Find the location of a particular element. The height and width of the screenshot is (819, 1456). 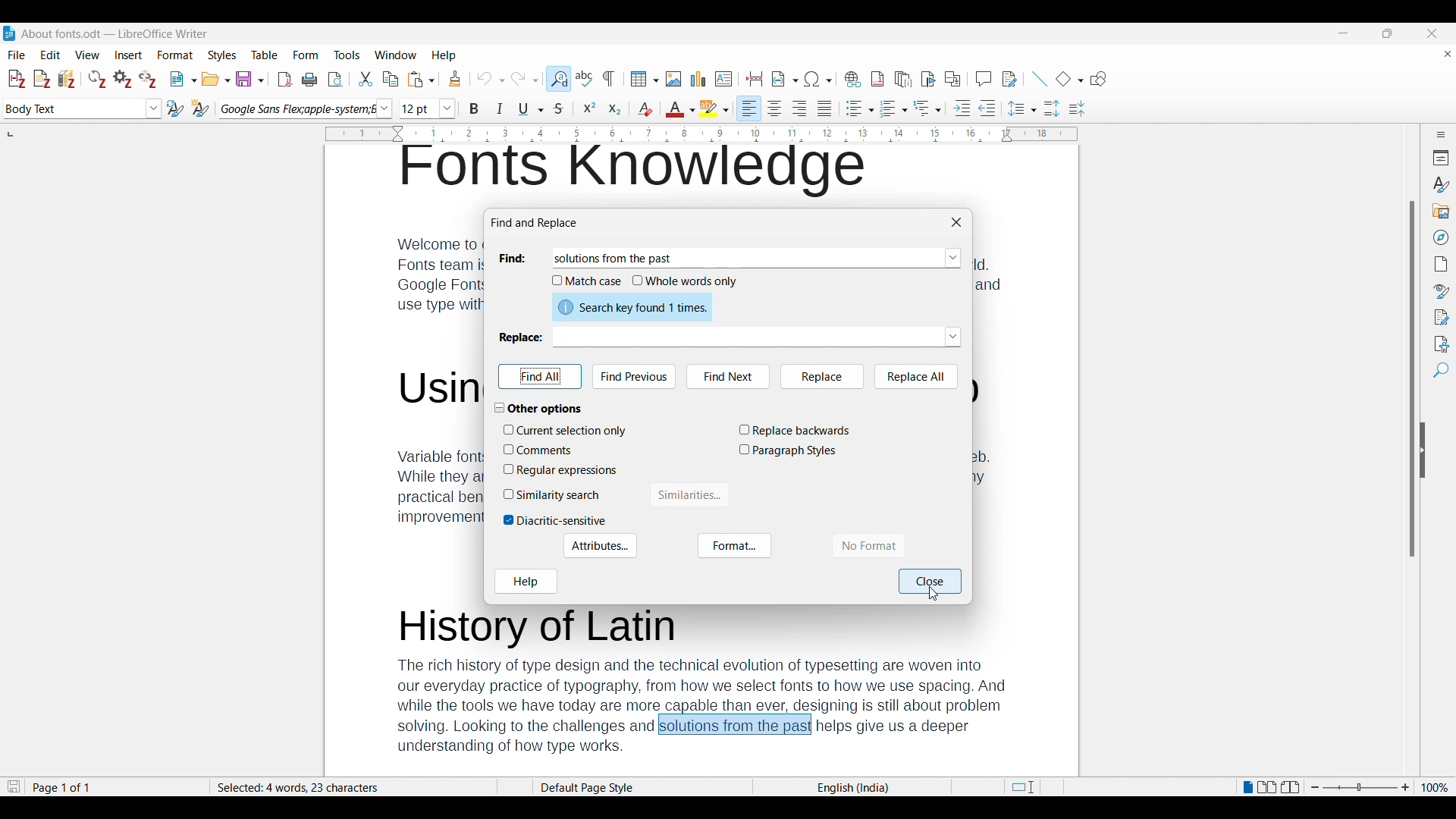

Gallery  is located at coordinates (1439, 211).